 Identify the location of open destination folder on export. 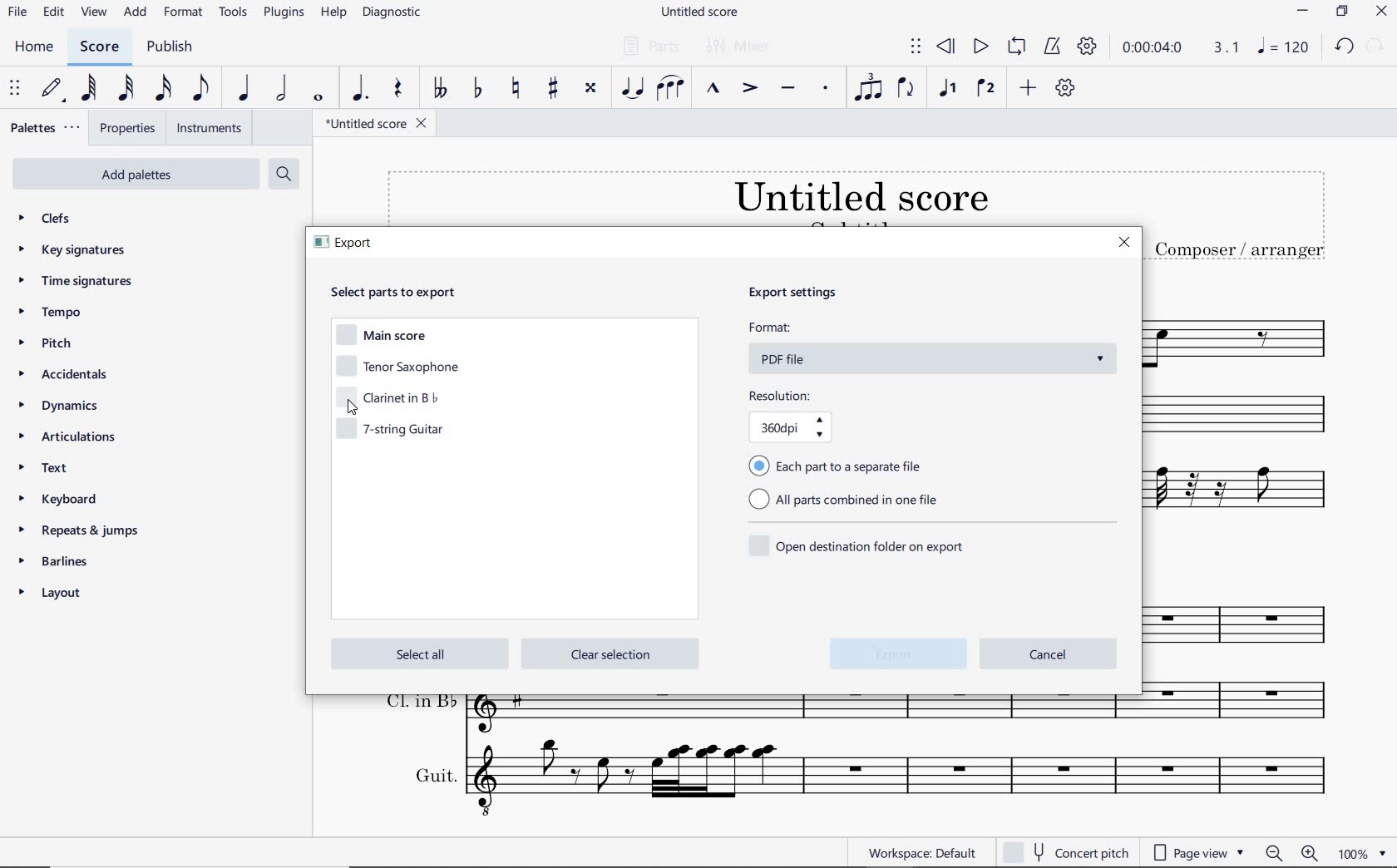
(858, 544).